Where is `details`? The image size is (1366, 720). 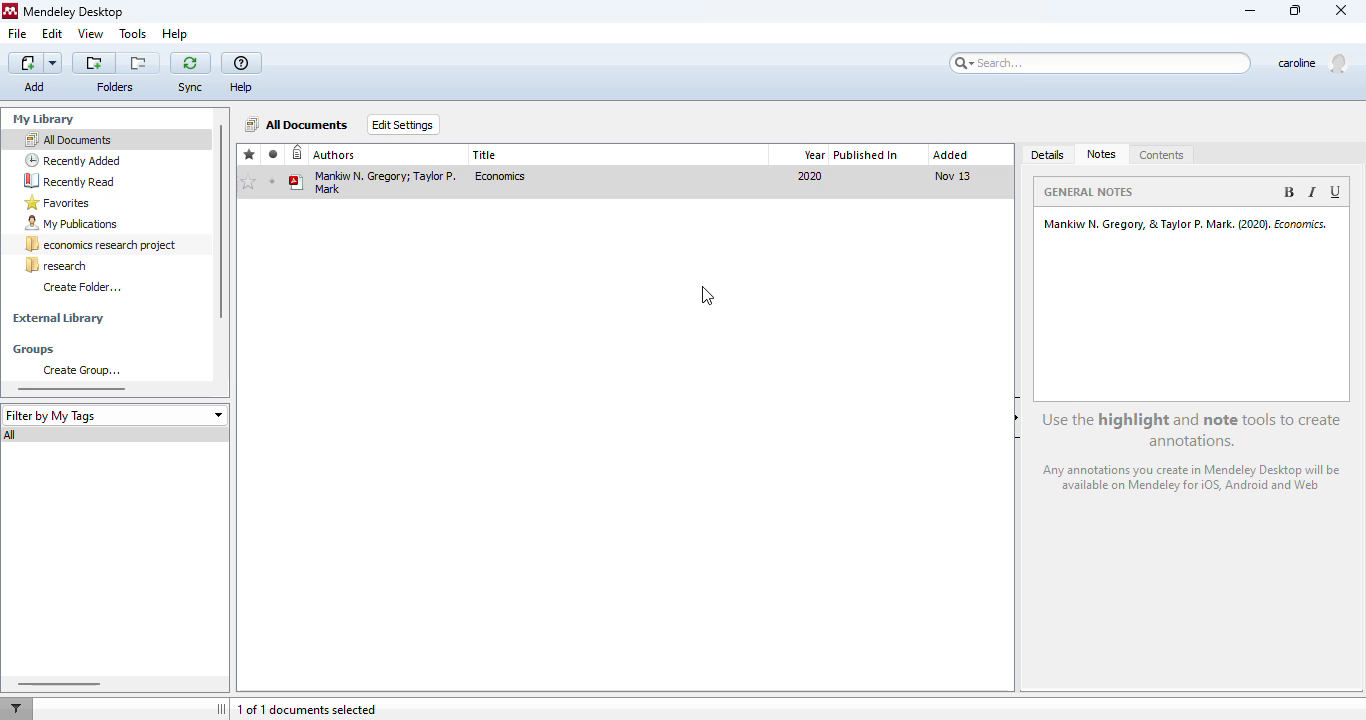 details is located at coordinates (1049, 156).